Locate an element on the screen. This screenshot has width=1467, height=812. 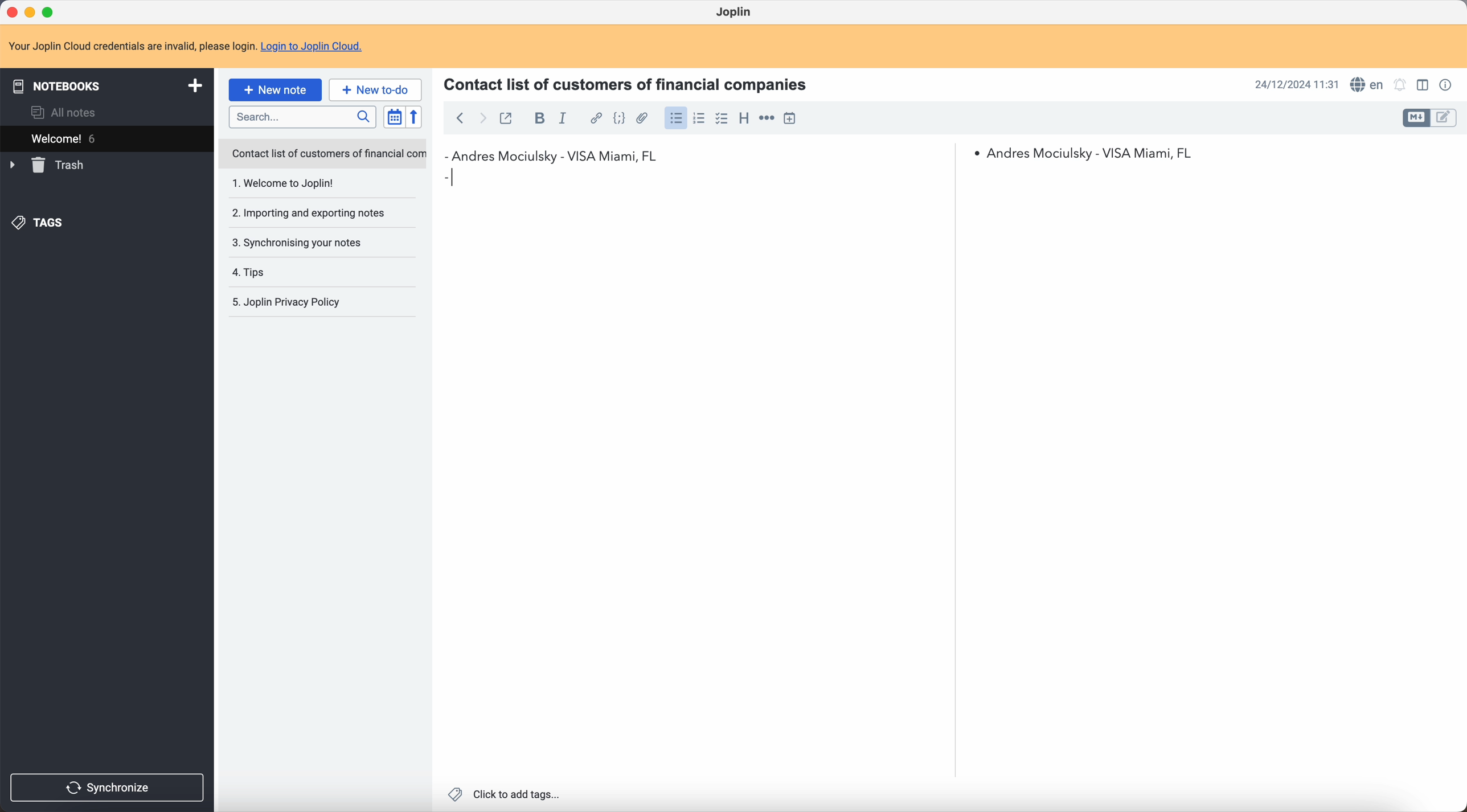
trash is located at coordinates (48, 165).